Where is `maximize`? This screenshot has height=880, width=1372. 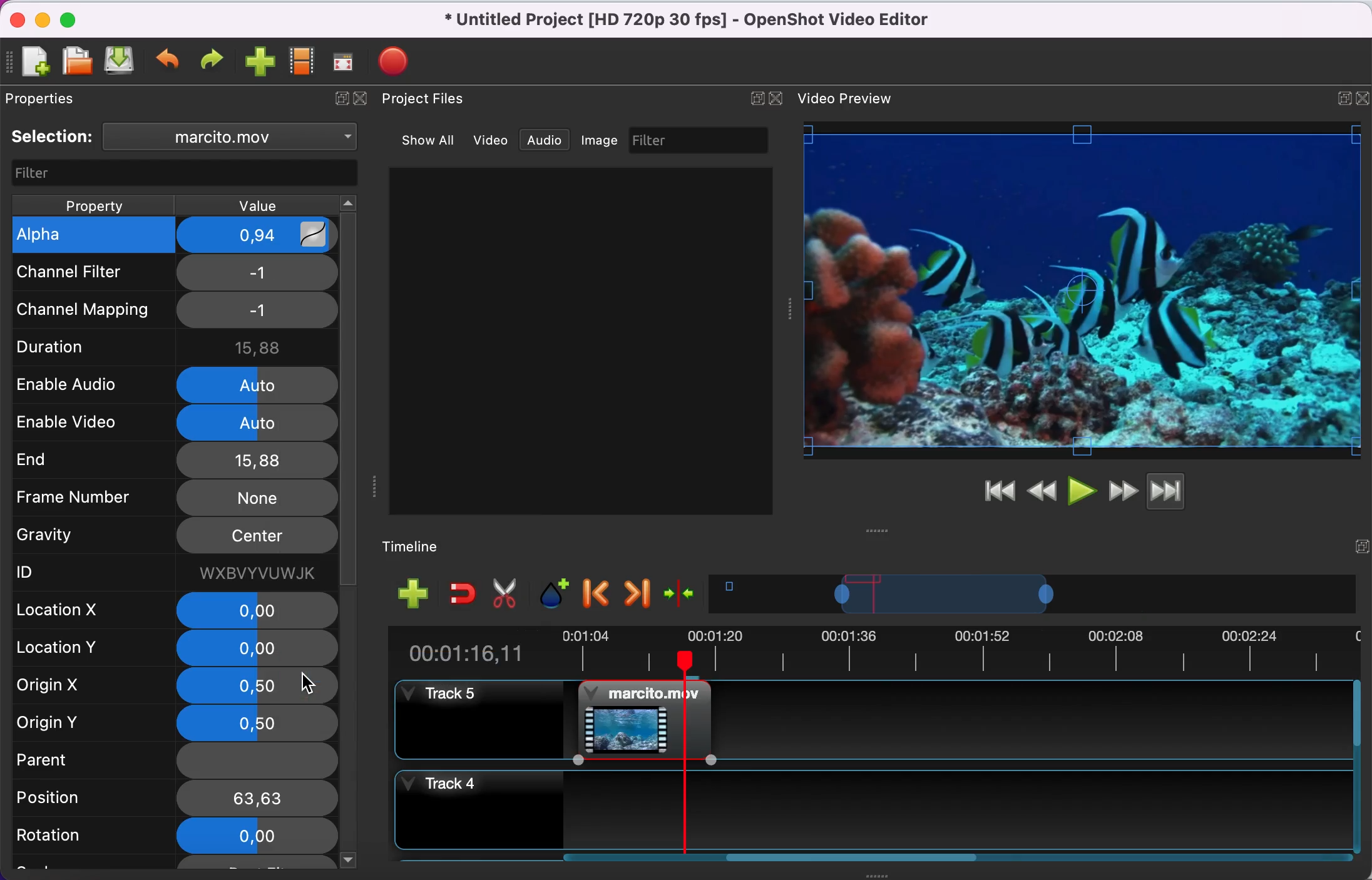
maximize is located at coordinates (76, 18).